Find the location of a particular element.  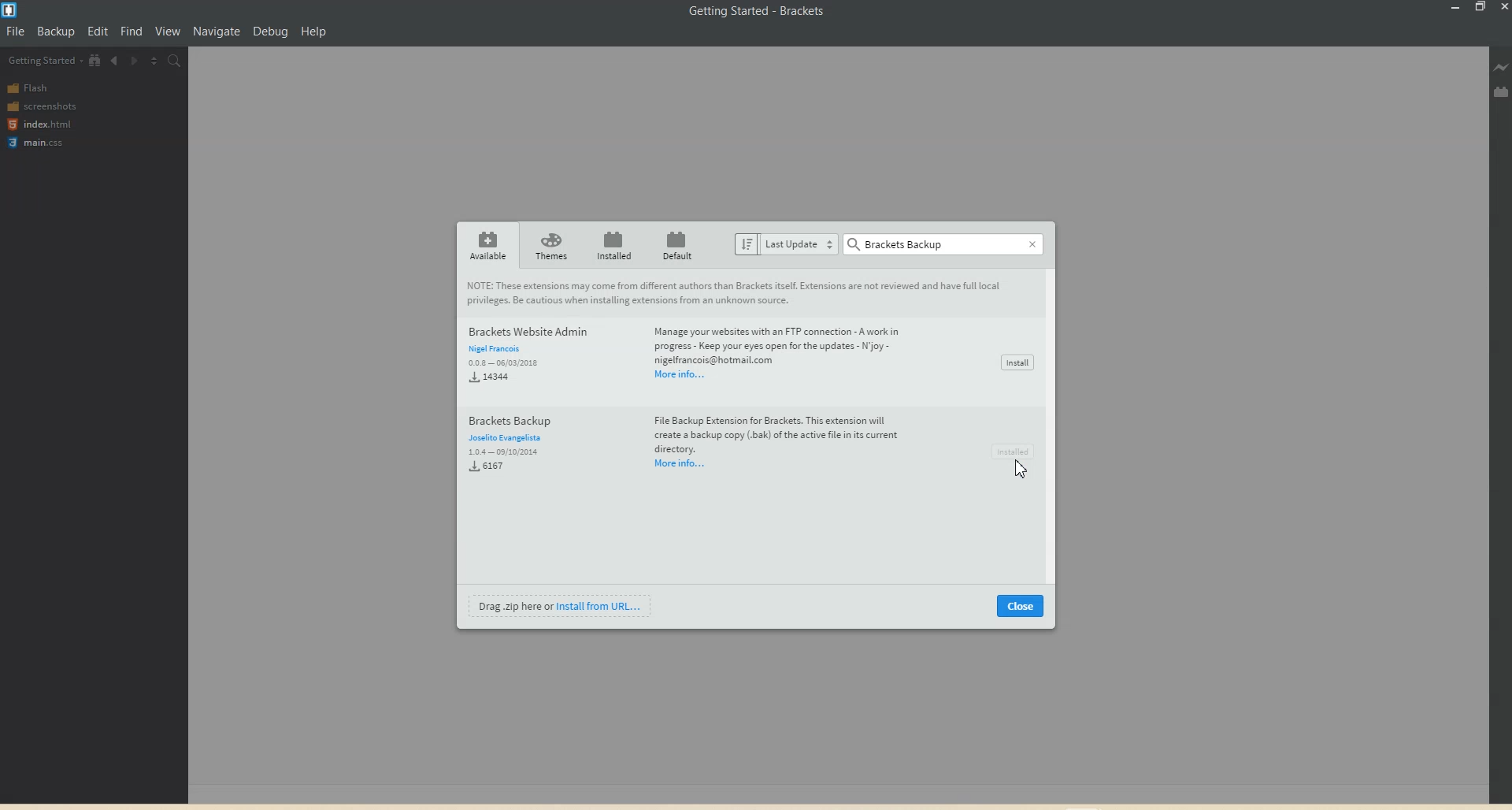

Debug is located at coordinates (272, 31).